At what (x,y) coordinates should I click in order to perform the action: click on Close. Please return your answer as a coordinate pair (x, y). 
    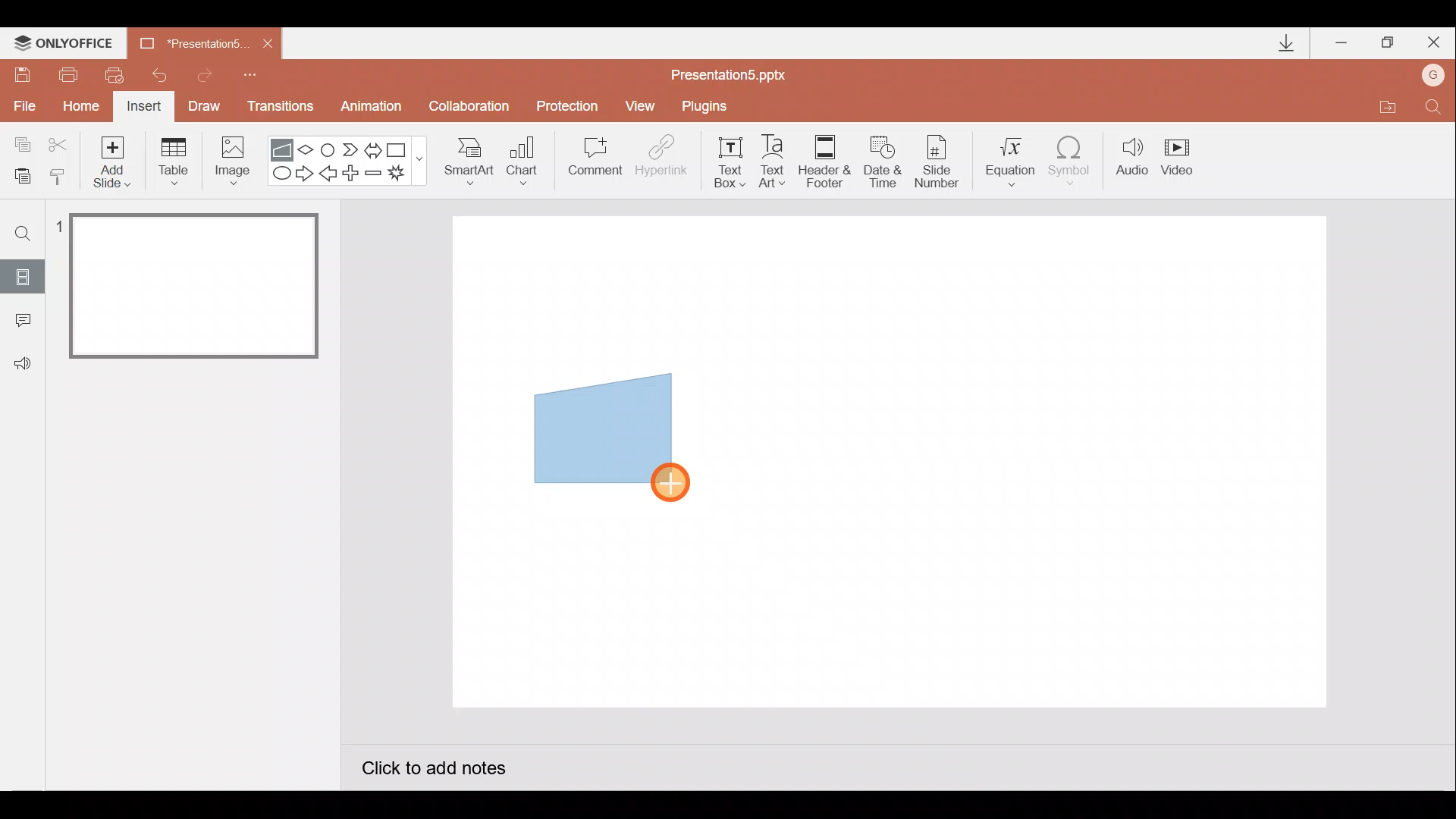
    Looking at the image, I should click on (1434, 45).